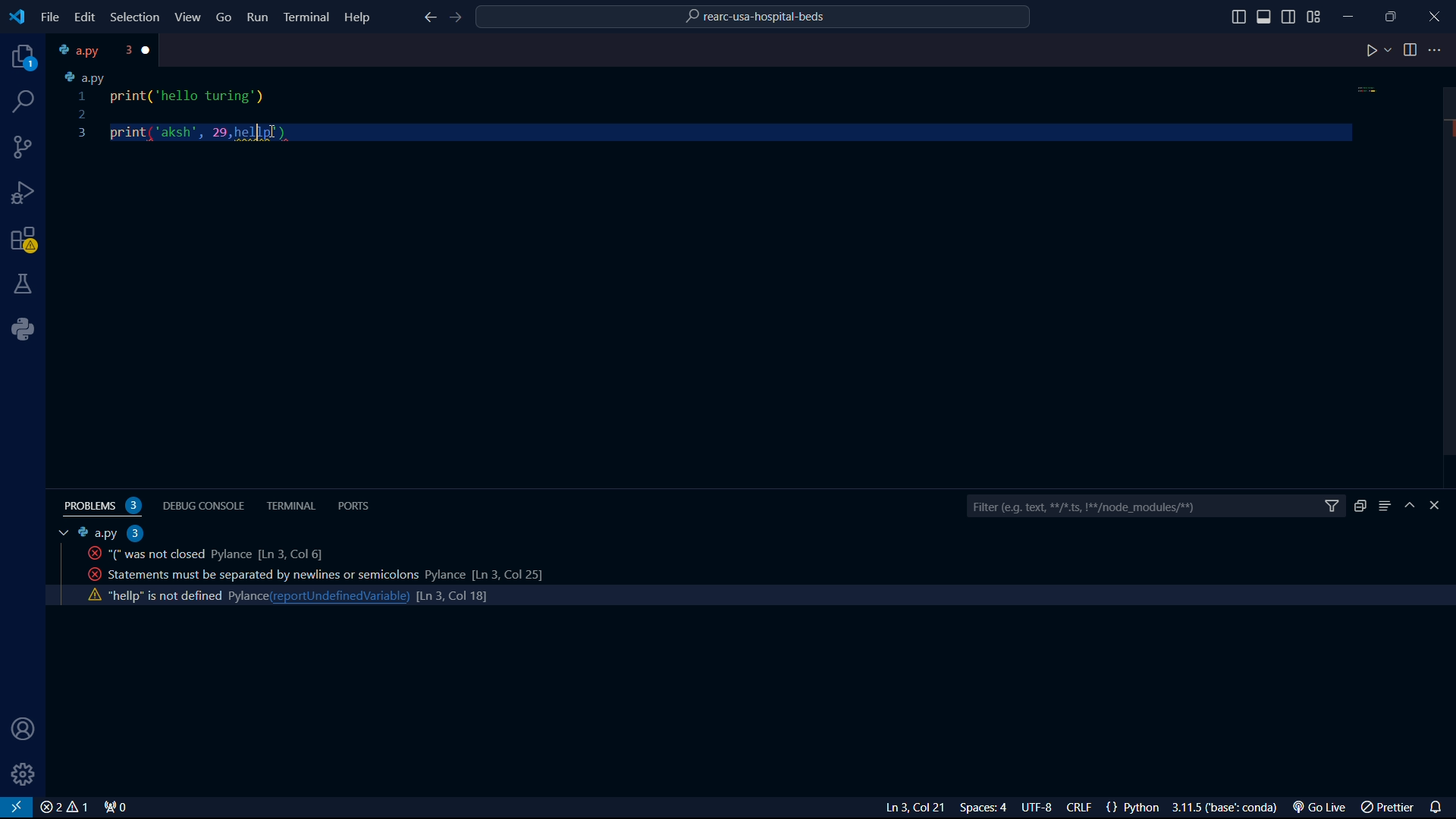 This screenshot has width=1456, height=819. What do you see at coordinates (64, 808) in the screenshot?
I see `close` at bounding box center [64, 808].